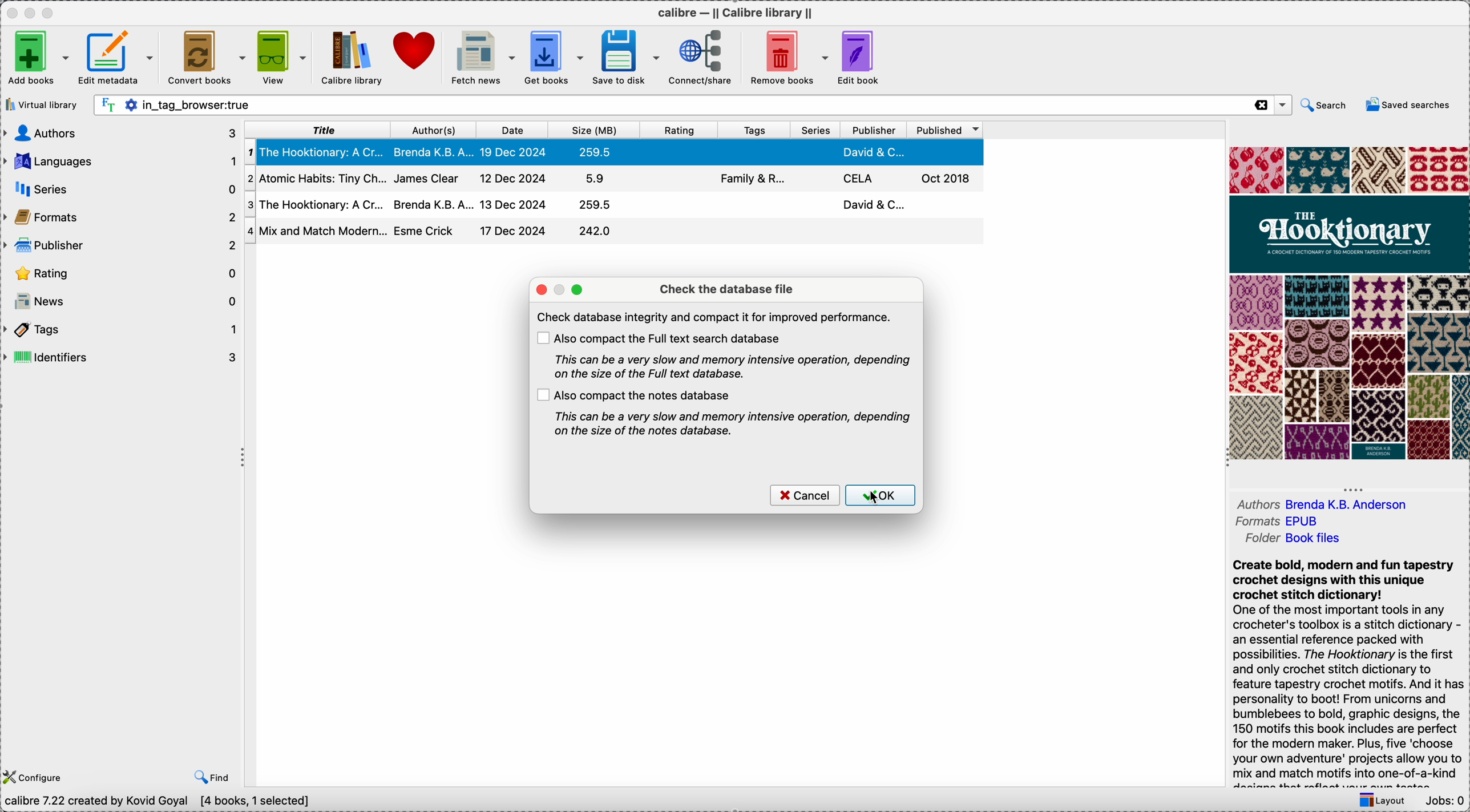 The height and width of the screenshot is (812, 1470). What do you see at coordinates (814, 131) in the screenshot?
I see `series` at bounding box center [814, 131].